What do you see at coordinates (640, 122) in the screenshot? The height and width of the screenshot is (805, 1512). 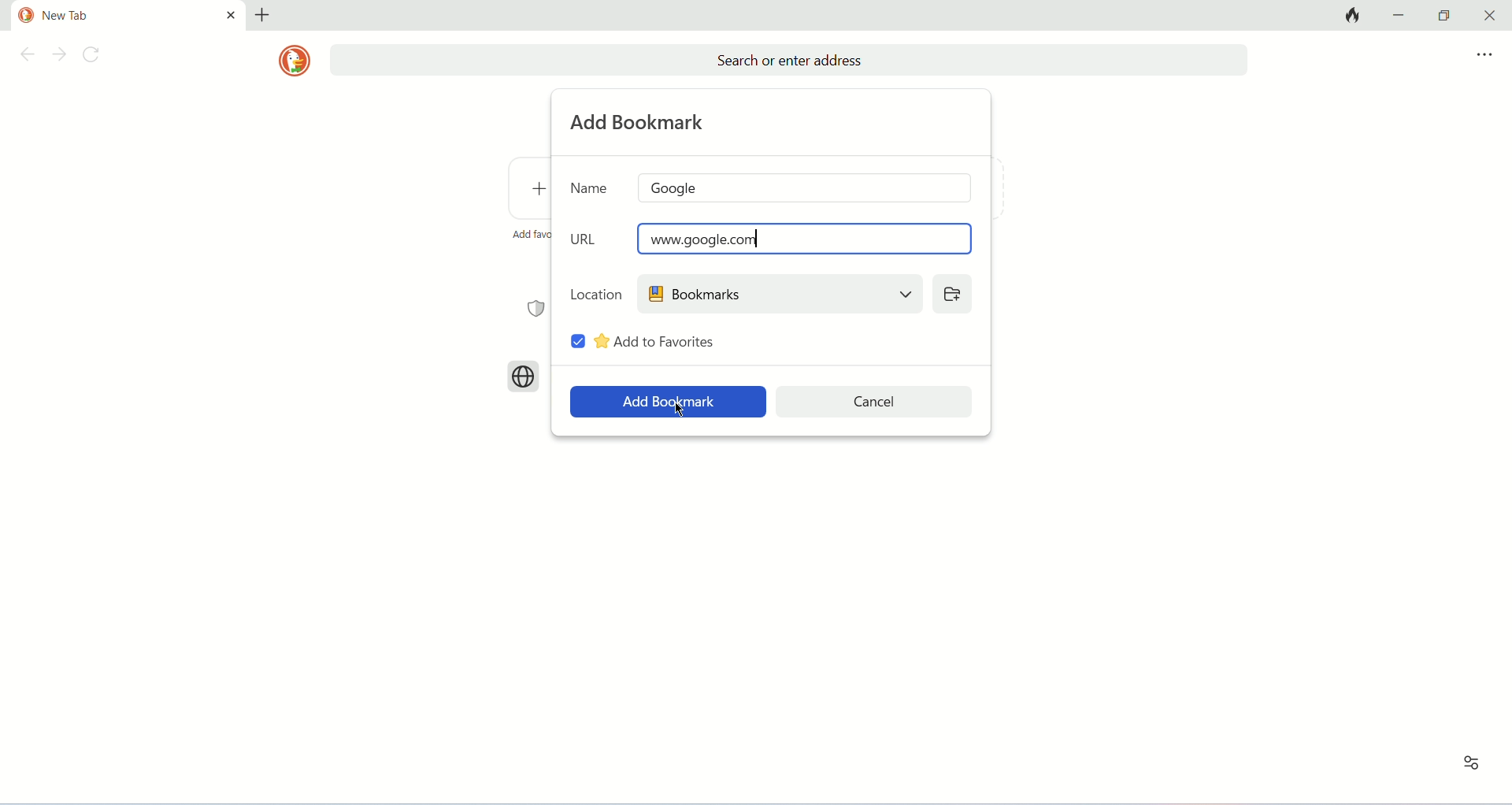 I see `add bookmark` at bounding box center [640, 122].